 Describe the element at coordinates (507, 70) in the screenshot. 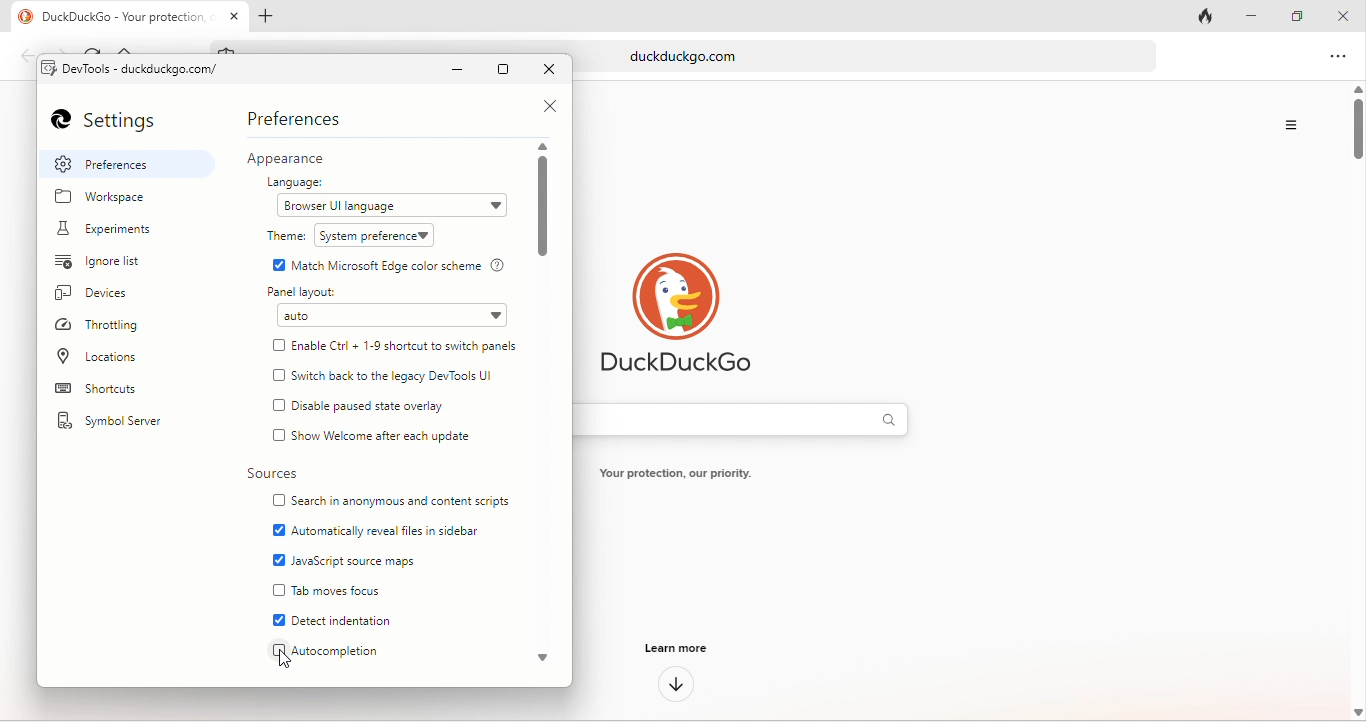

I see `maximize` at that location.